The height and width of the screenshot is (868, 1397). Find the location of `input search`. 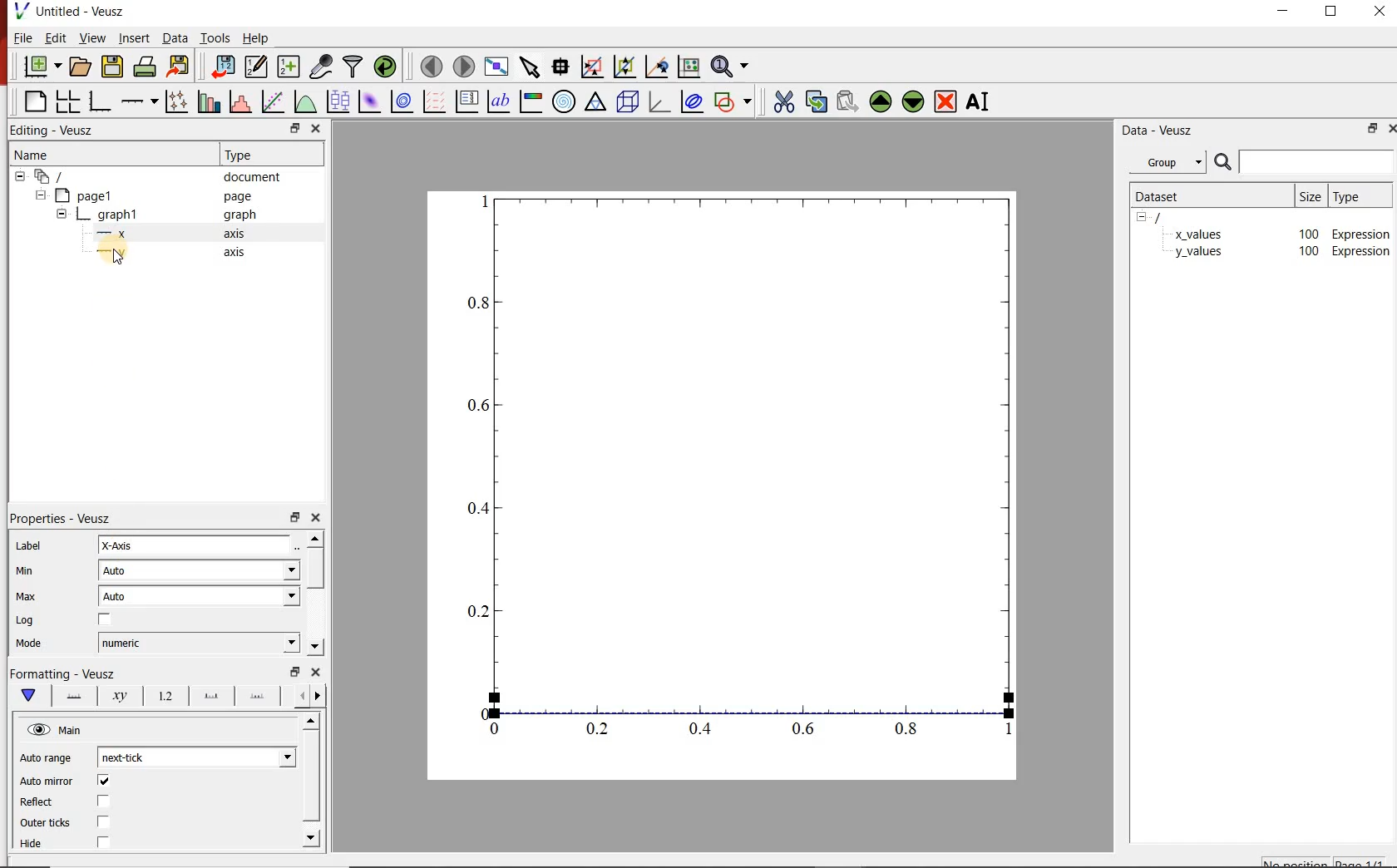

input search is located at coordinates (1316, 161).